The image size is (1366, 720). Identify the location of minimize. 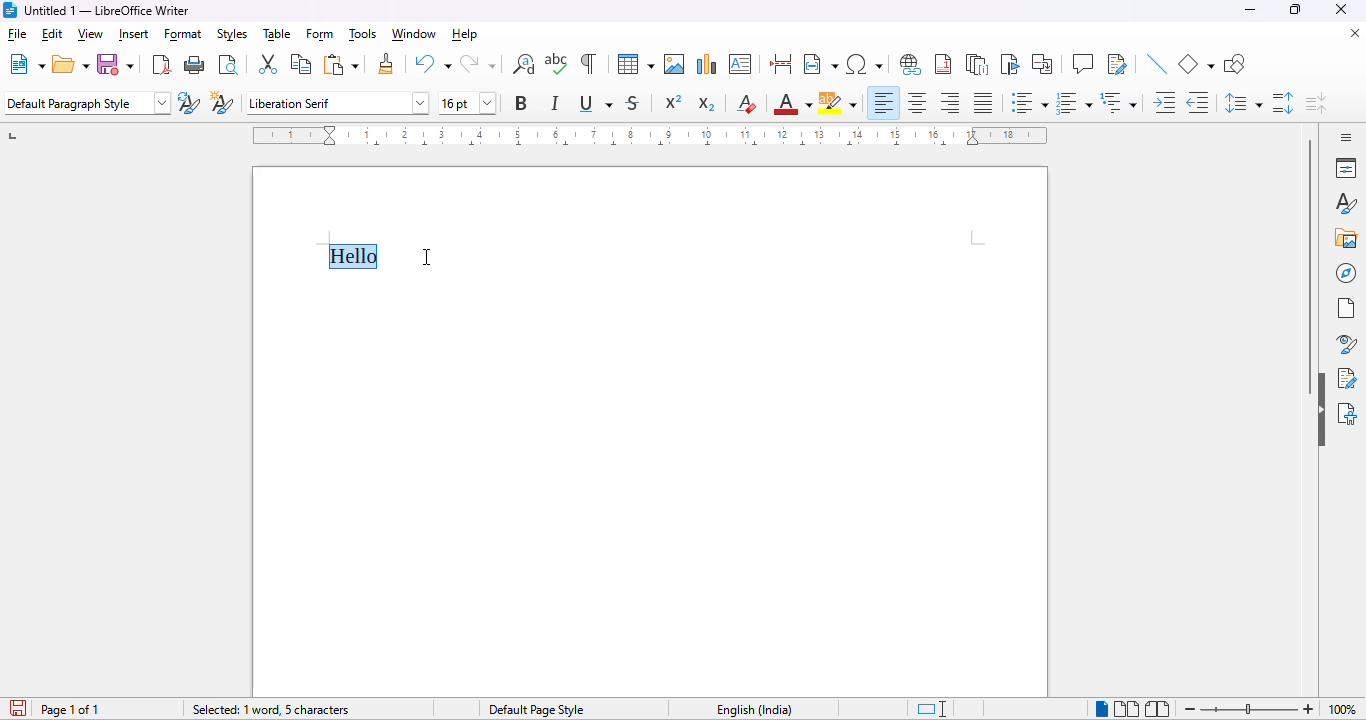
(1251, 10).